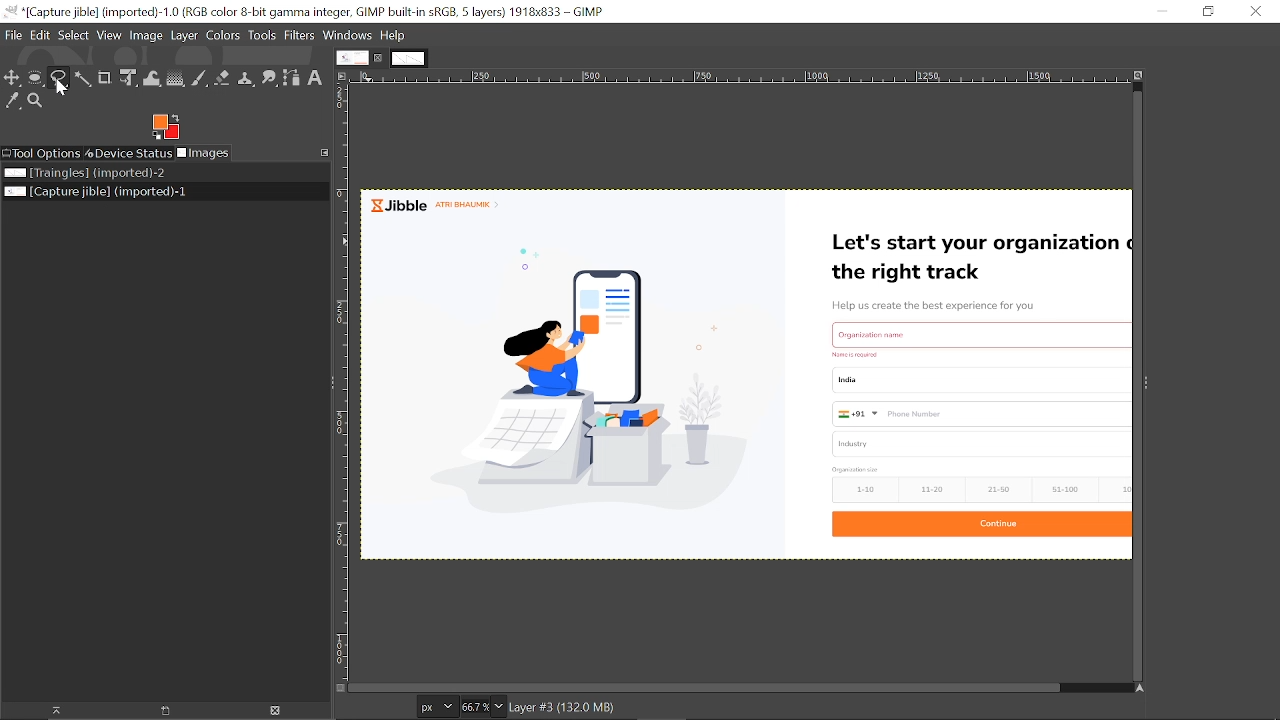 This screenshot has height=720, width=1280. Describe the element at coordinates (293, 78) in the screenshot. I see `Path tool` at that location.